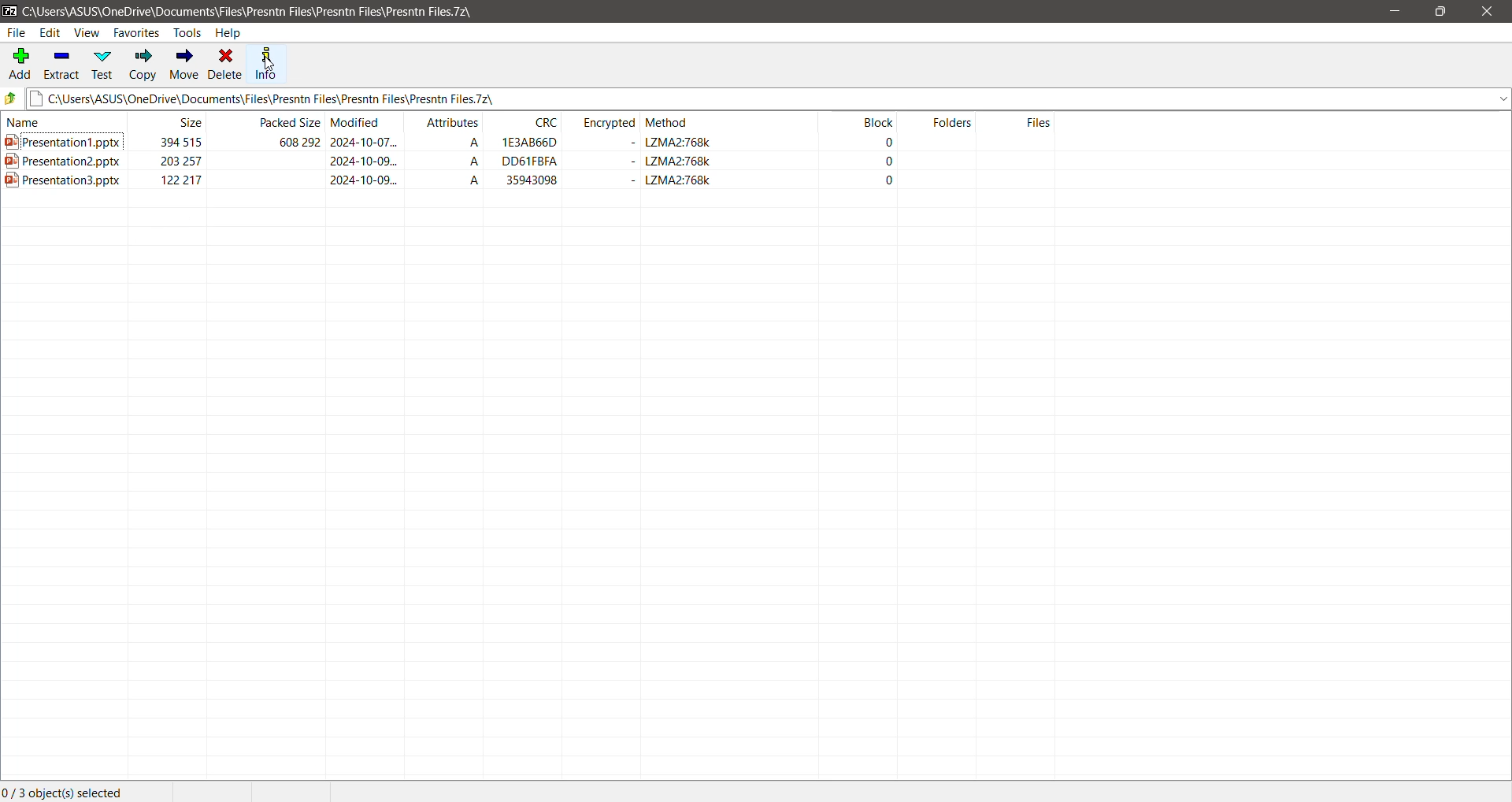 The image size is (1512, 802). What do you see at coordinates (539, 122) in the screenshot?
I see `CRC` at bounding box center [539, 122].